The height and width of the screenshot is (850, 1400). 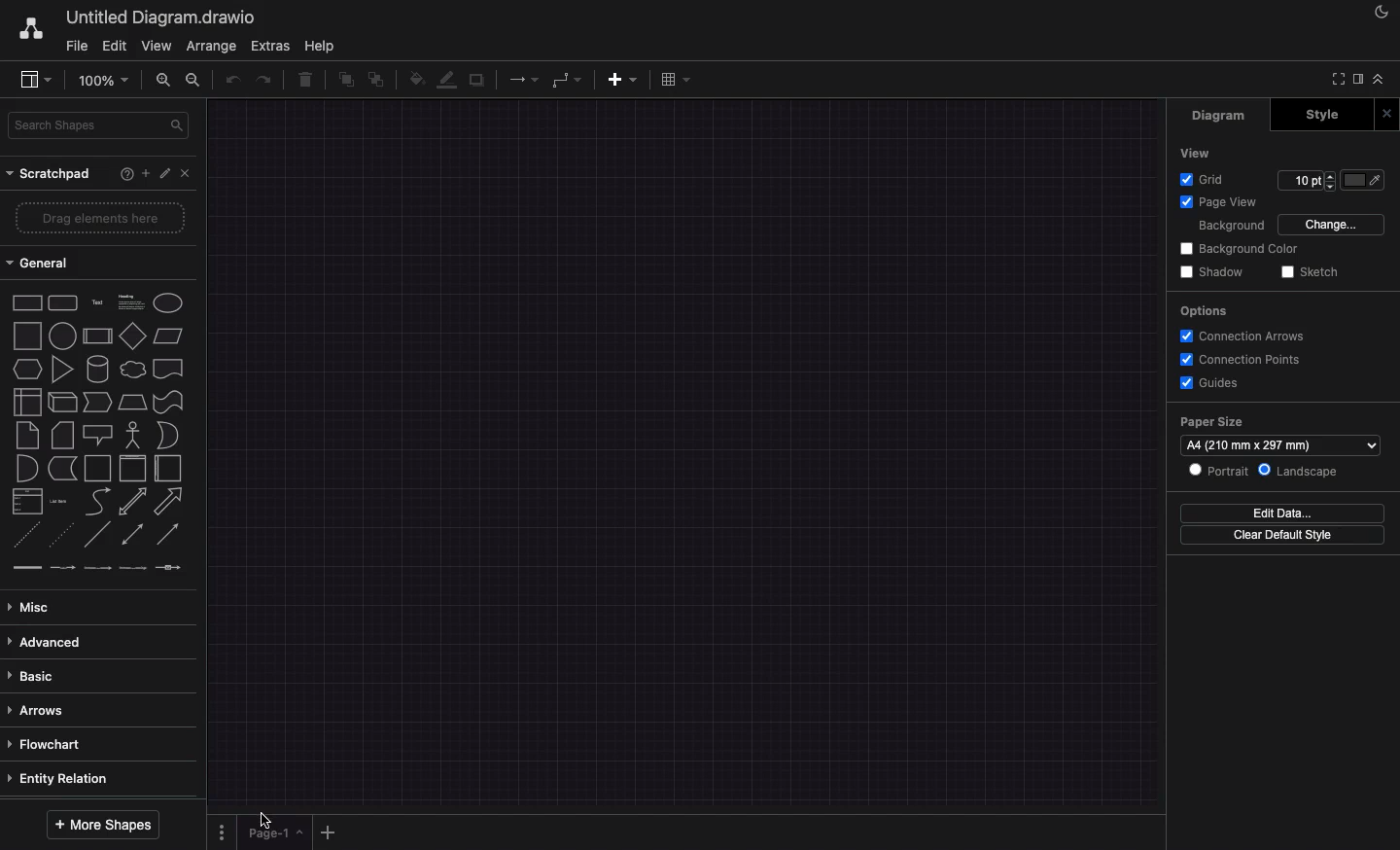 I want to click on cloud, so click(x=133, y=370).